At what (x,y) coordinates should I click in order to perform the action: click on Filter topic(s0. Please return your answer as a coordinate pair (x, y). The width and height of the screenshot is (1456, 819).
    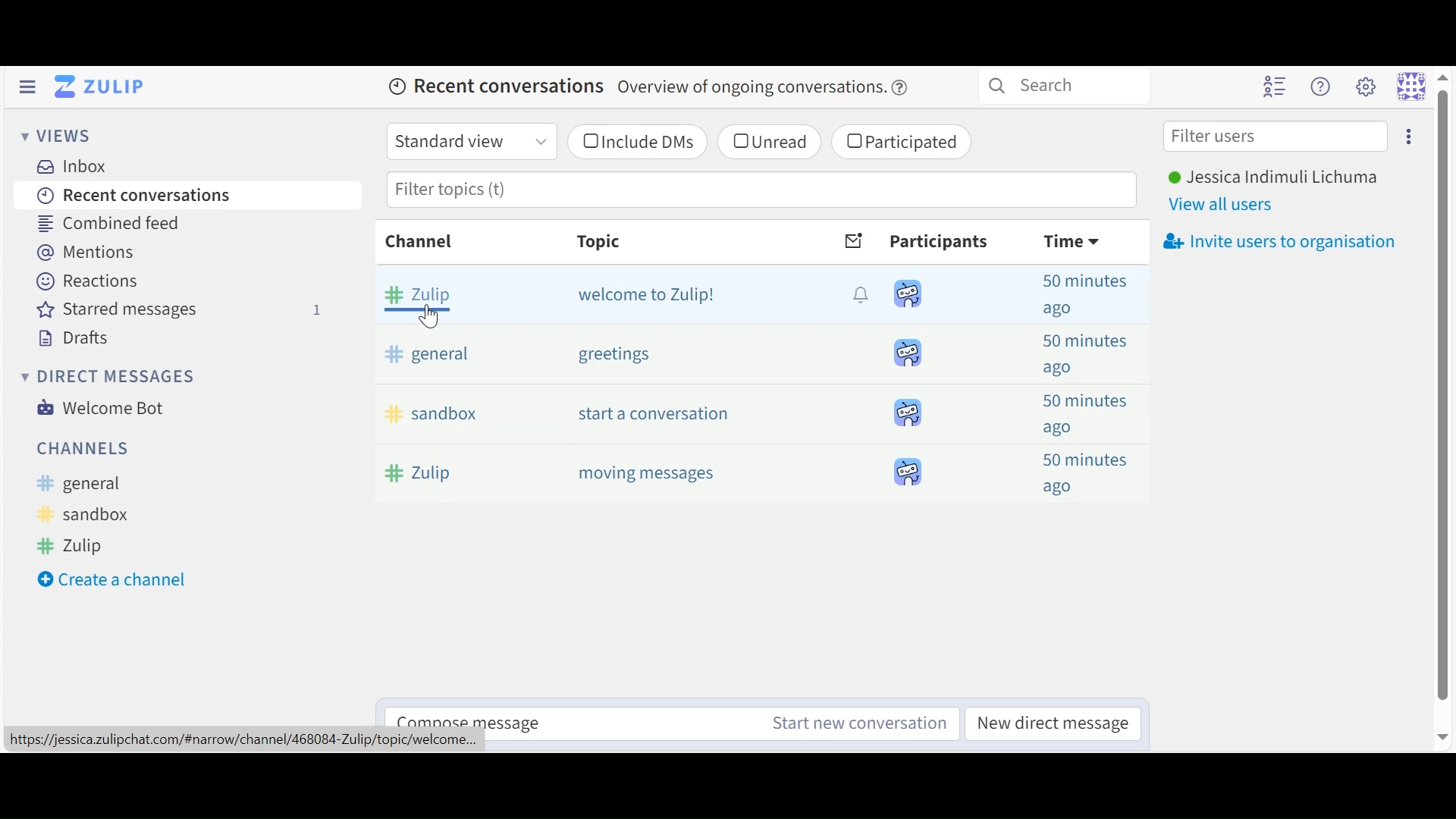
    Looking at the image, I should click on (759, 191).